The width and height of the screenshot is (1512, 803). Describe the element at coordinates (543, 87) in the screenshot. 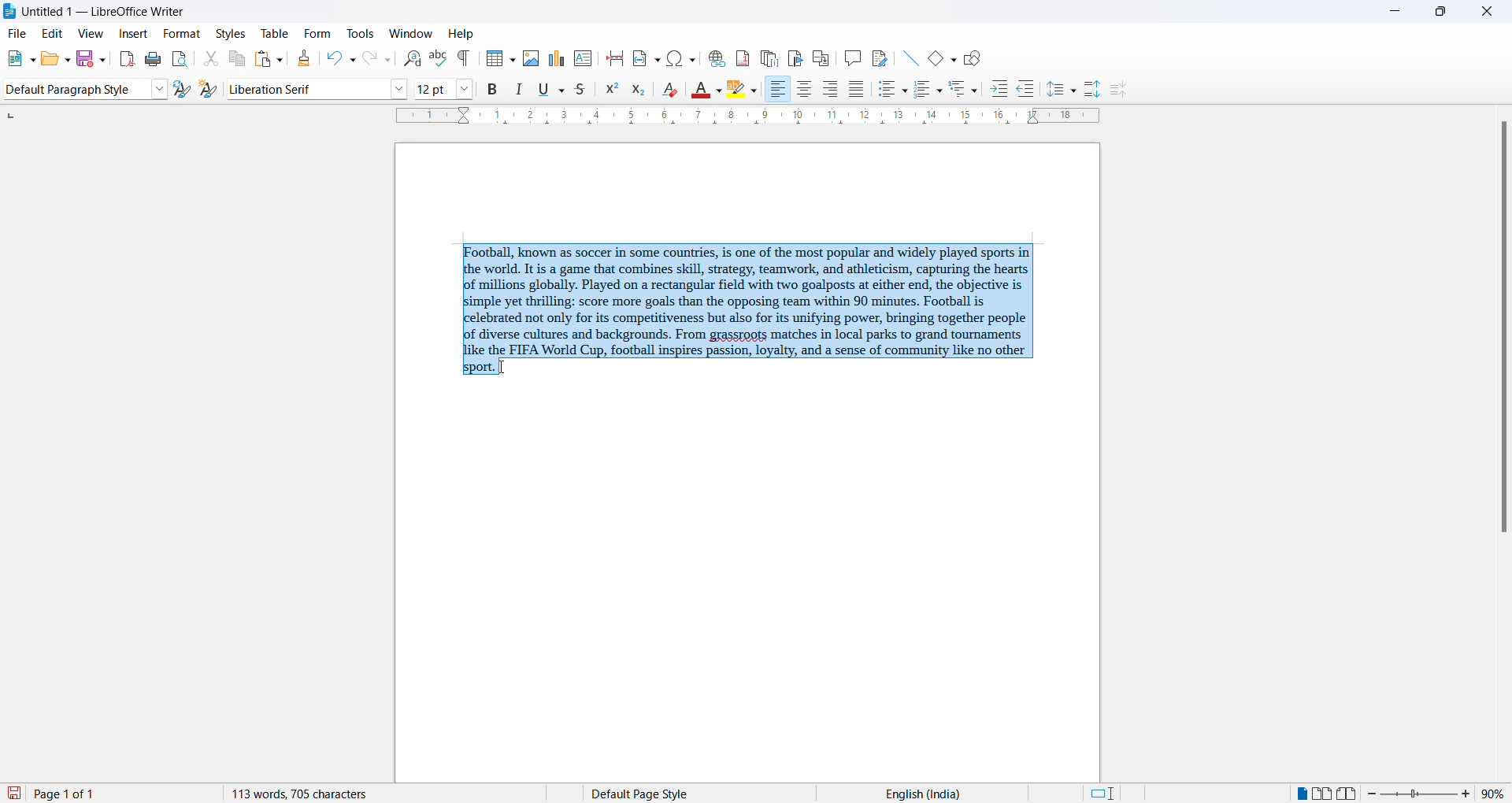

I see `underline` at that location.